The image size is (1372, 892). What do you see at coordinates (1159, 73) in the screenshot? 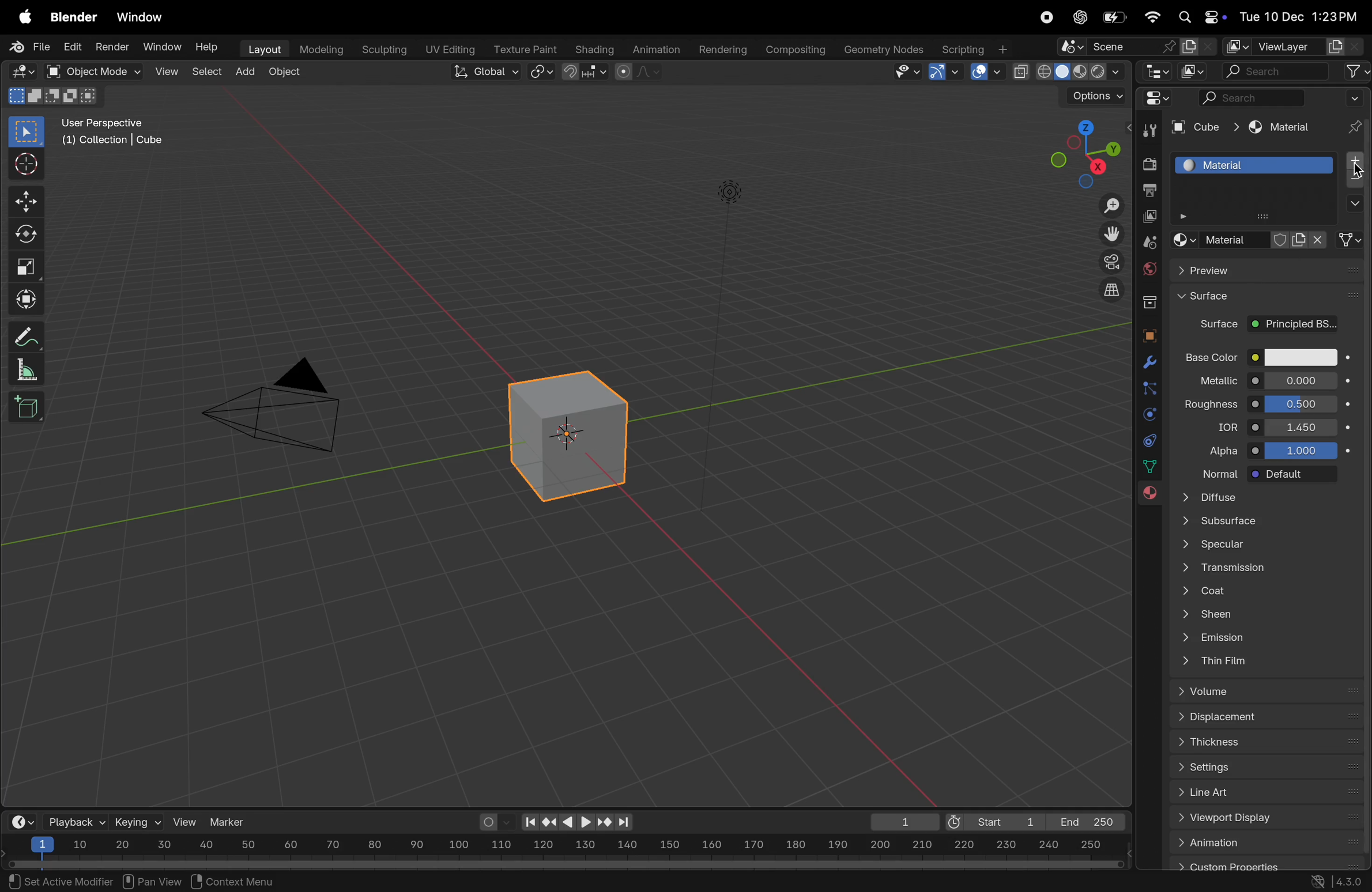
I see `editor type` at bounding box center [1159, 73].